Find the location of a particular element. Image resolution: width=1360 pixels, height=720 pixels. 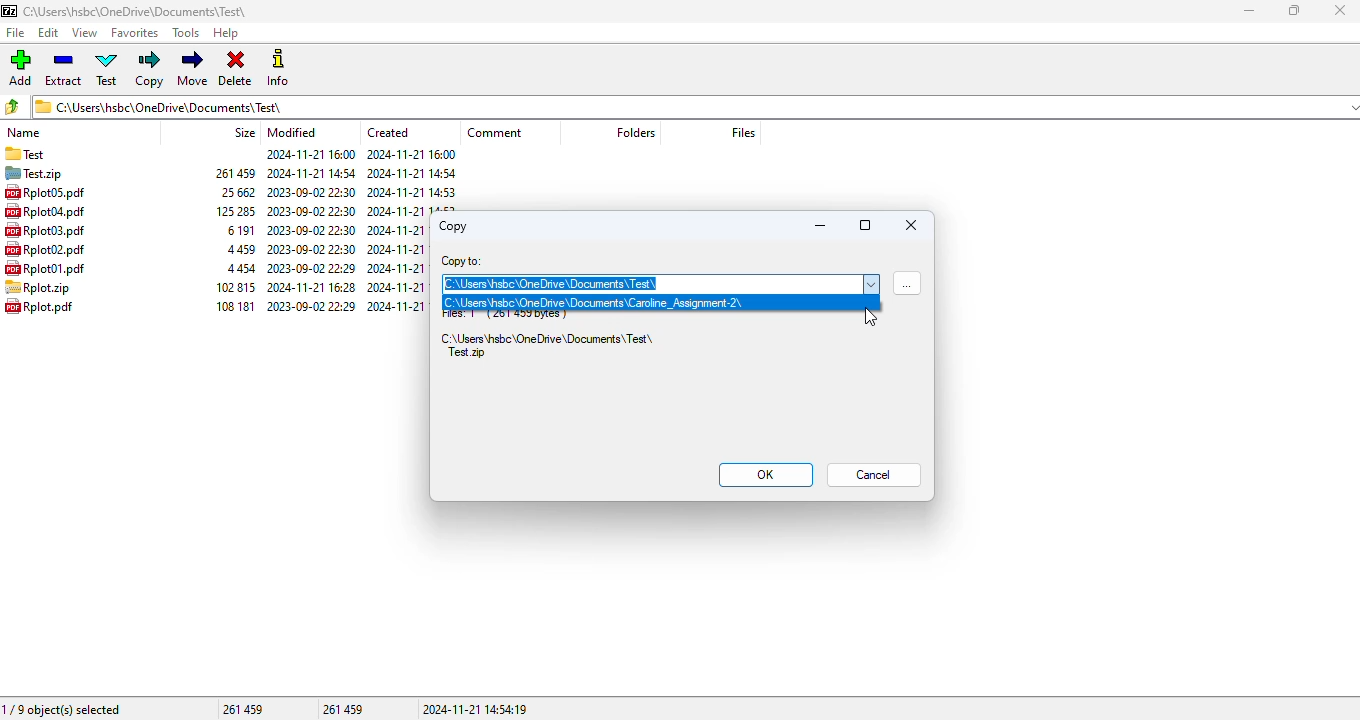

size is located at coordinates (246, 132).